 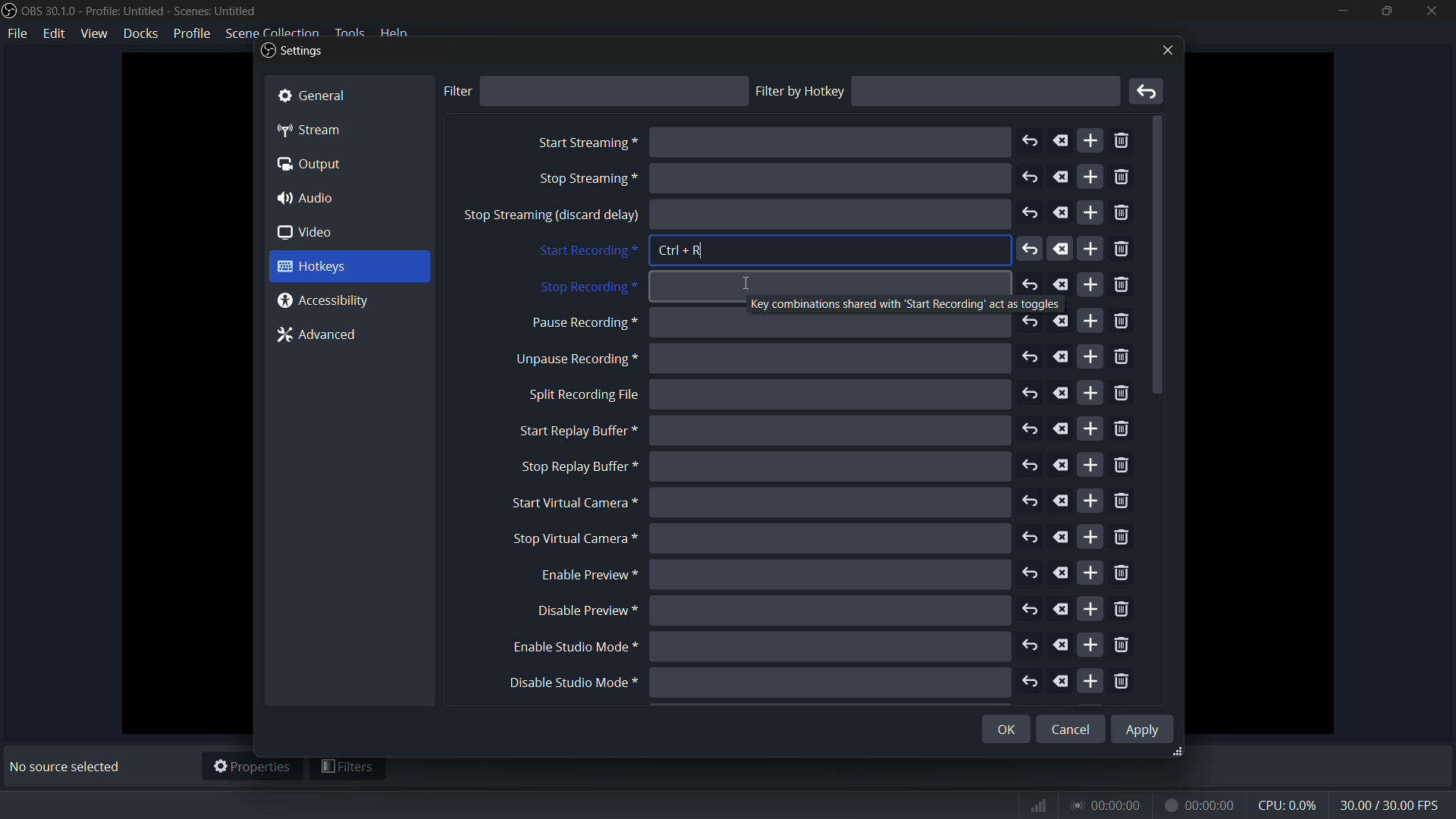 What do you see at coordinates (1031, 285) in the screenshot?
I see `undo` at bounding box center [1031, 285].